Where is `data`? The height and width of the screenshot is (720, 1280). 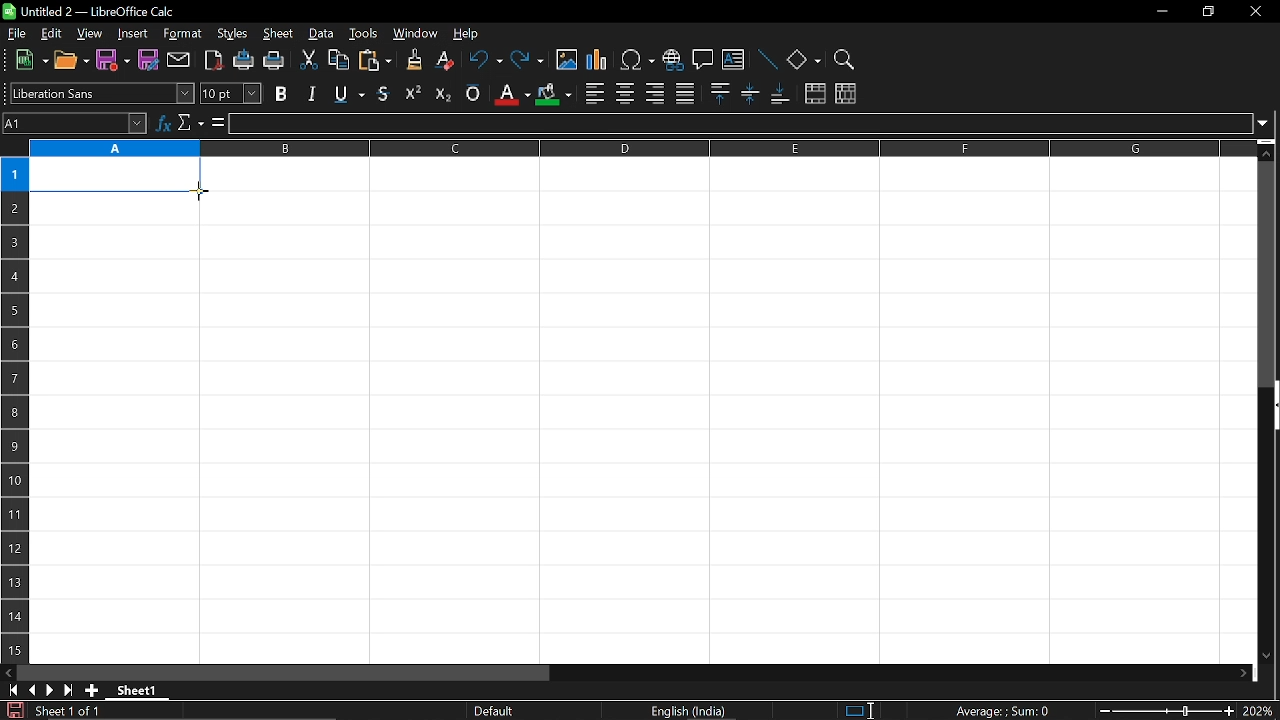
data is located at coordinates (322, 35).